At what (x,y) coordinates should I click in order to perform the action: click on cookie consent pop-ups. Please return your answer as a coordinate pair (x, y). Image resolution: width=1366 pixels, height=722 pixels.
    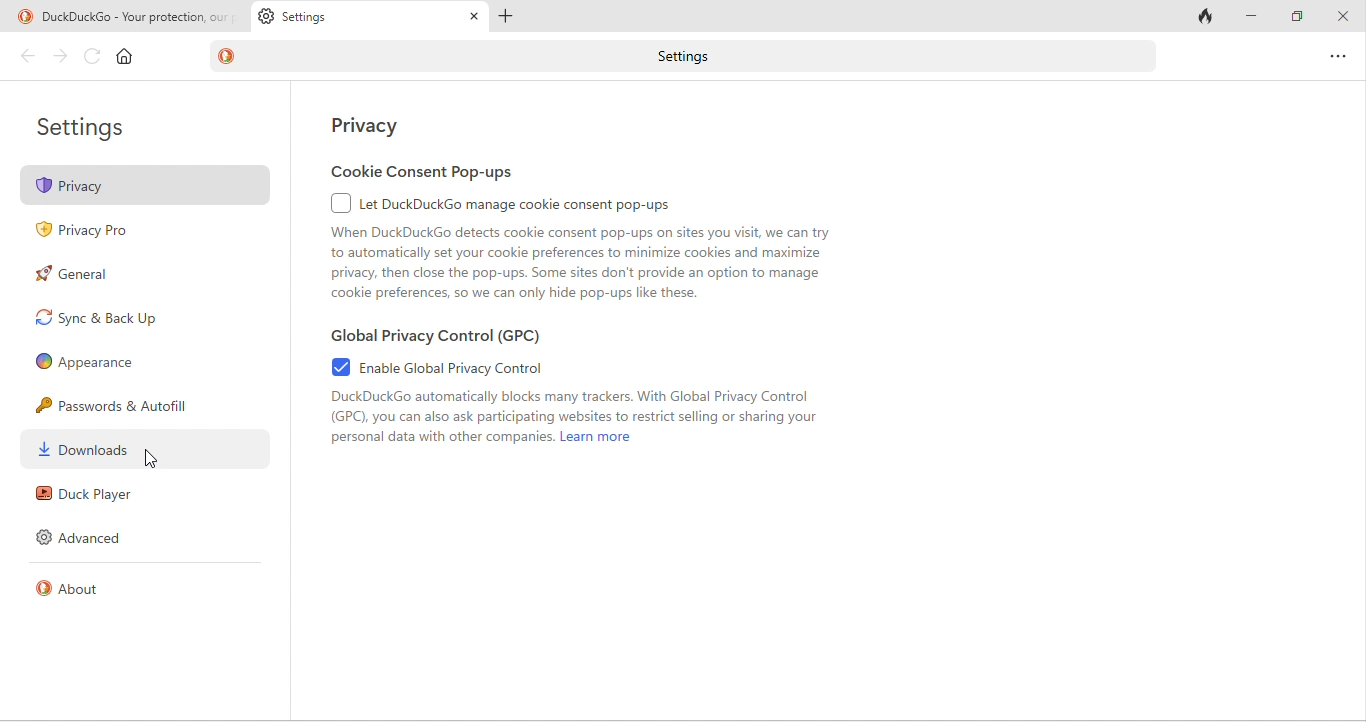
    Looking at the image, I should click on (423, 173).